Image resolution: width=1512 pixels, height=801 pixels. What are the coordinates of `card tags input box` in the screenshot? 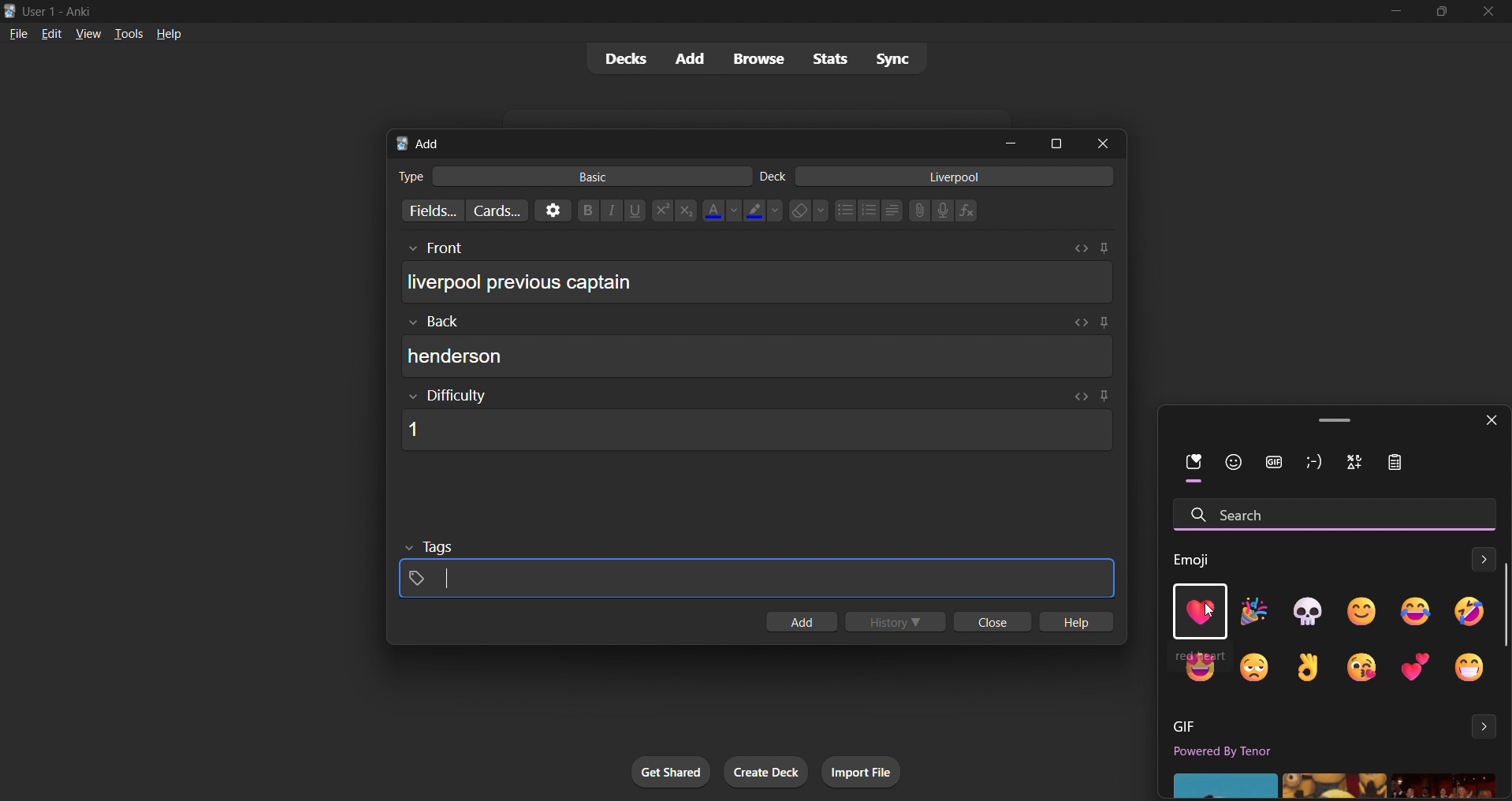 It's located at (756, 568).